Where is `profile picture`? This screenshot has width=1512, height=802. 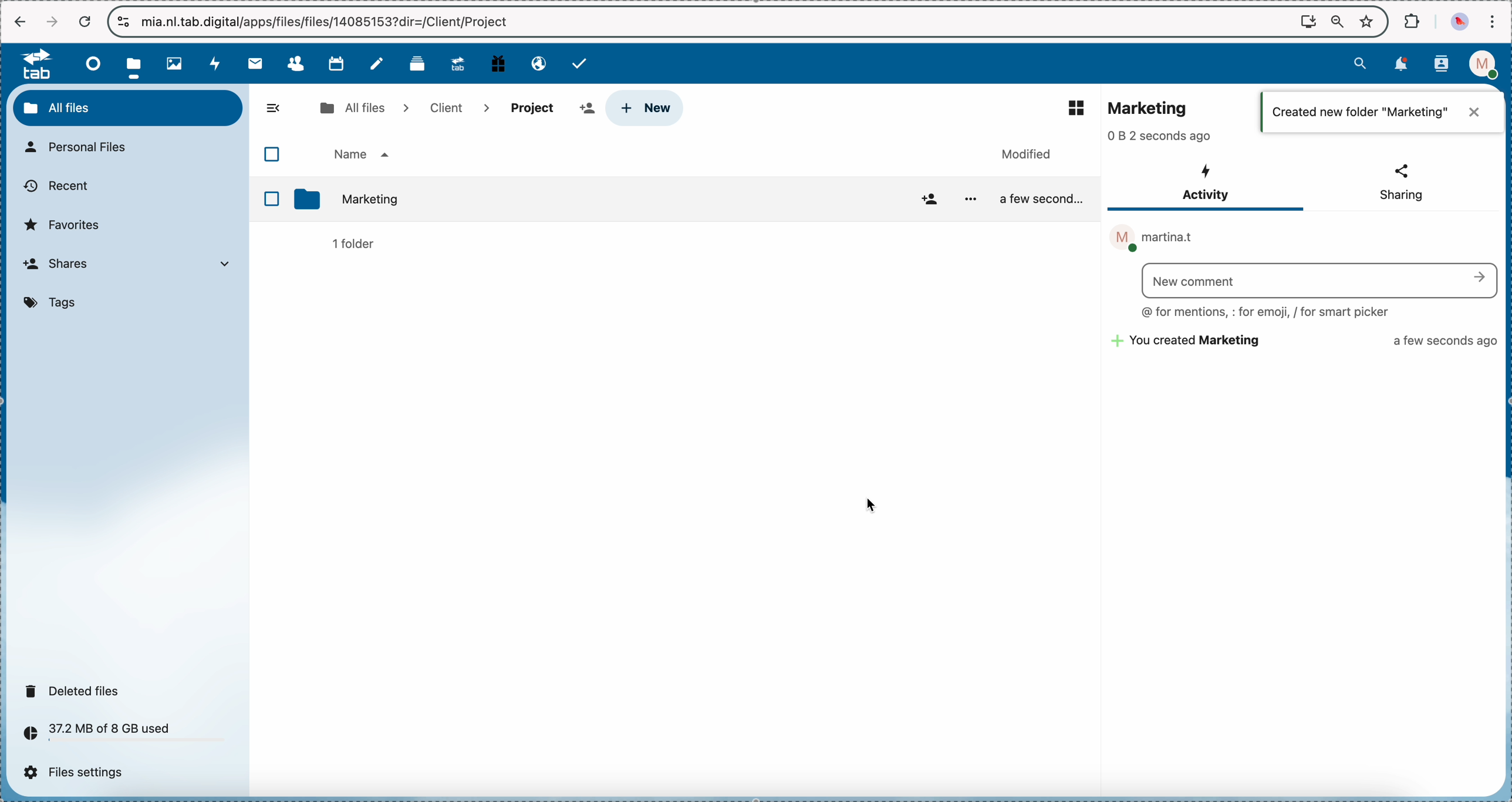
profile picture is located at coordinates (1462, 22).